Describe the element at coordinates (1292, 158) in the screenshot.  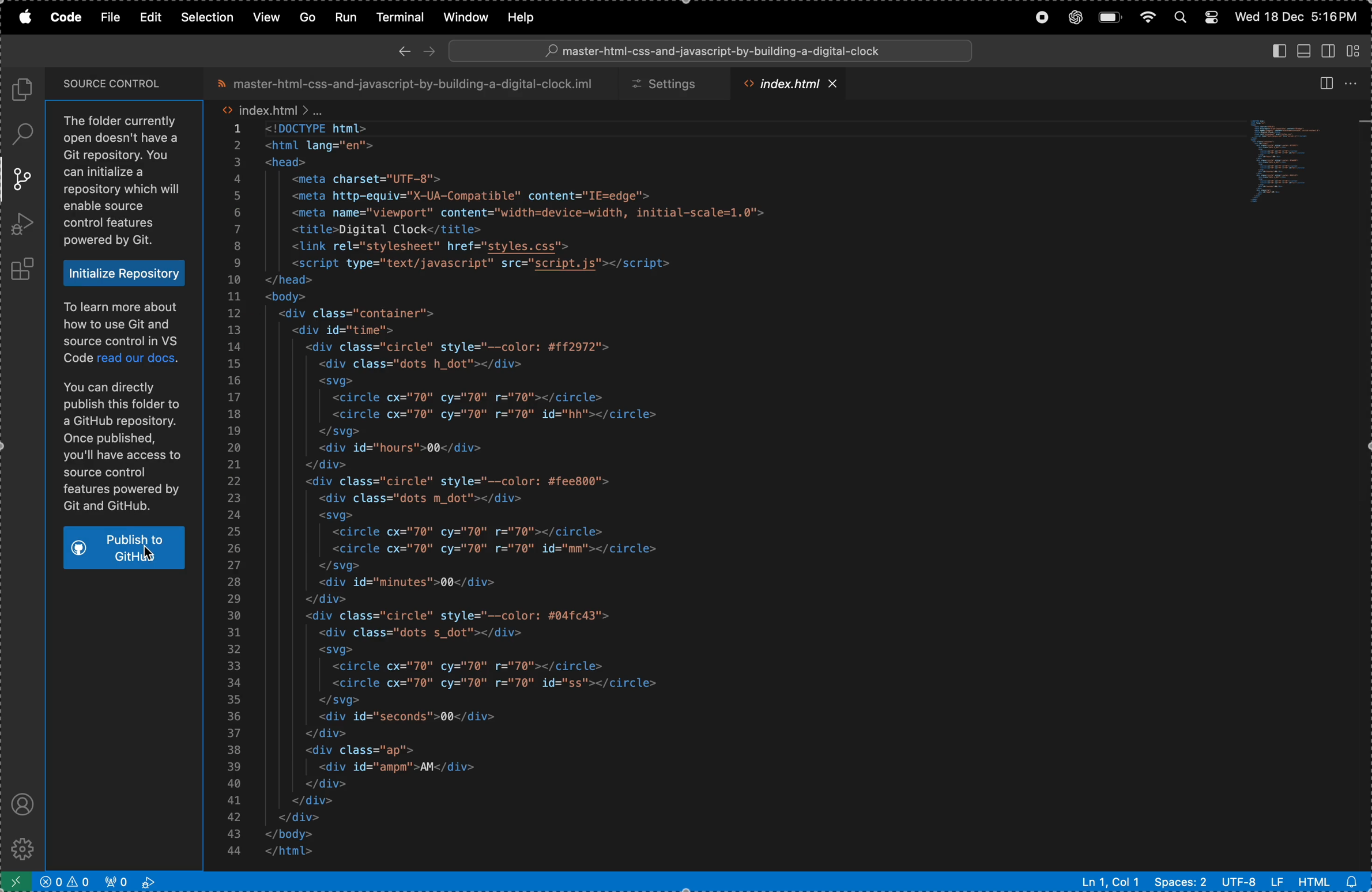
I see `code window` at that location.